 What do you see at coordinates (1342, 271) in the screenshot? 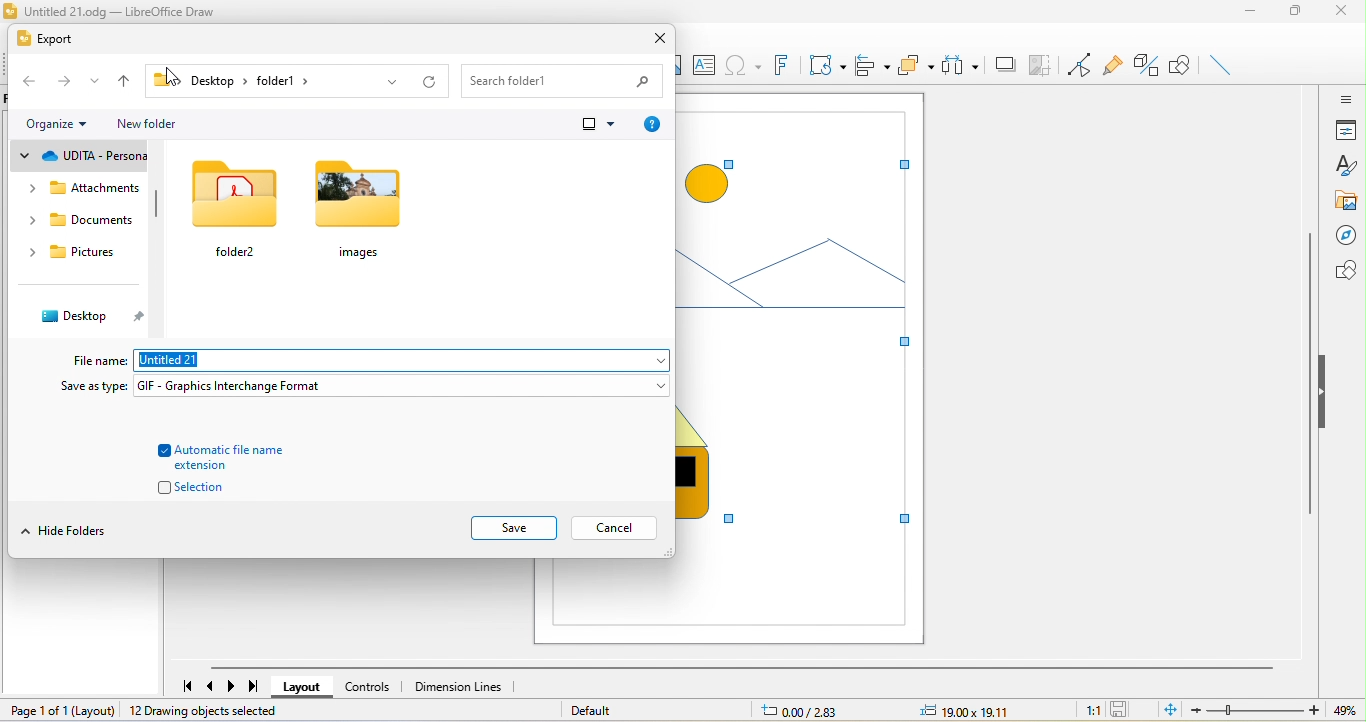
I see `shapes` at bounding box center [1342, 271].